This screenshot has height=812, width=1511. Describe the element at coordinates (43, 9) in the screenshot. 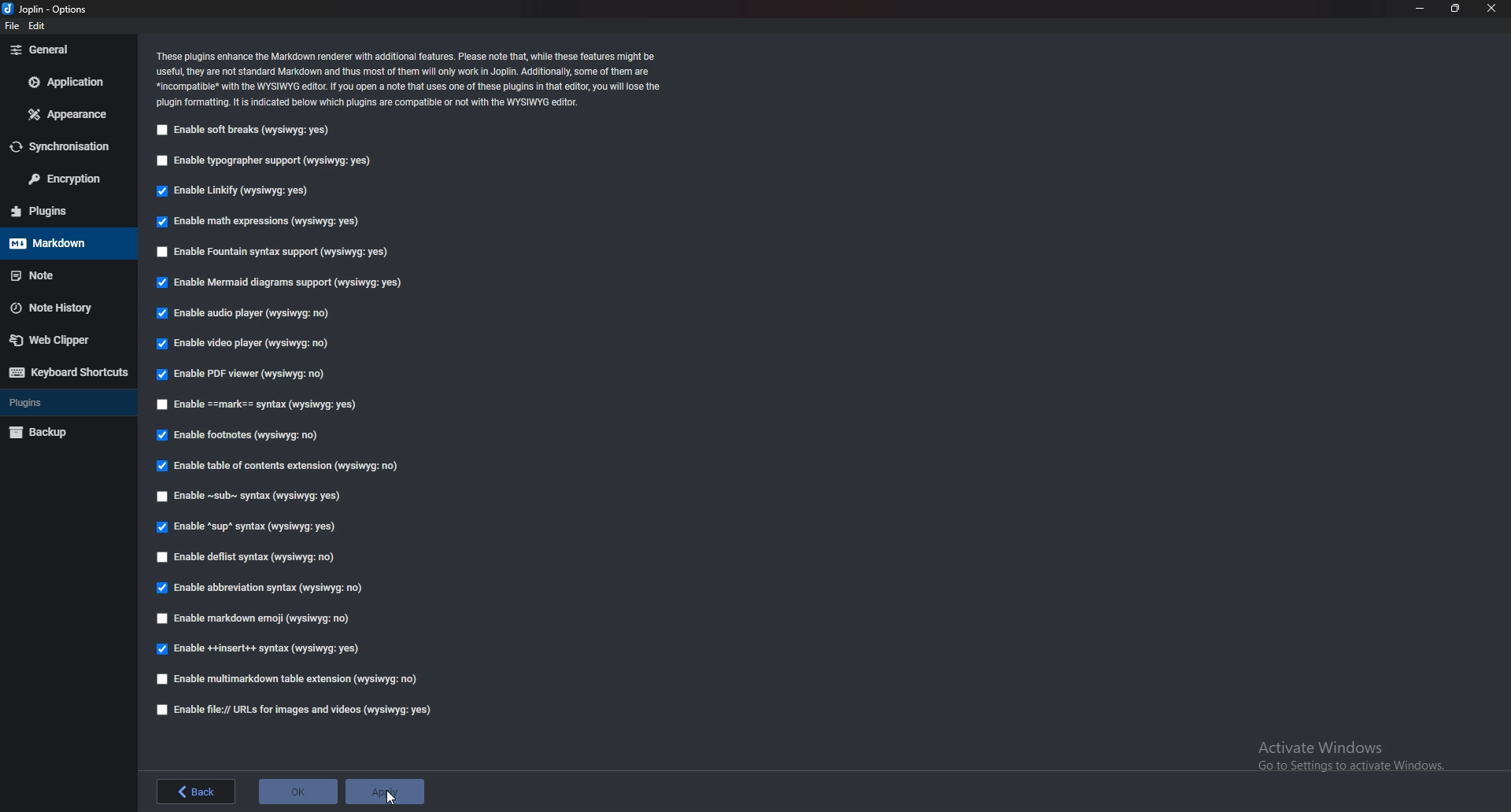

I see `Joblin - options (logo and name)` at that location.